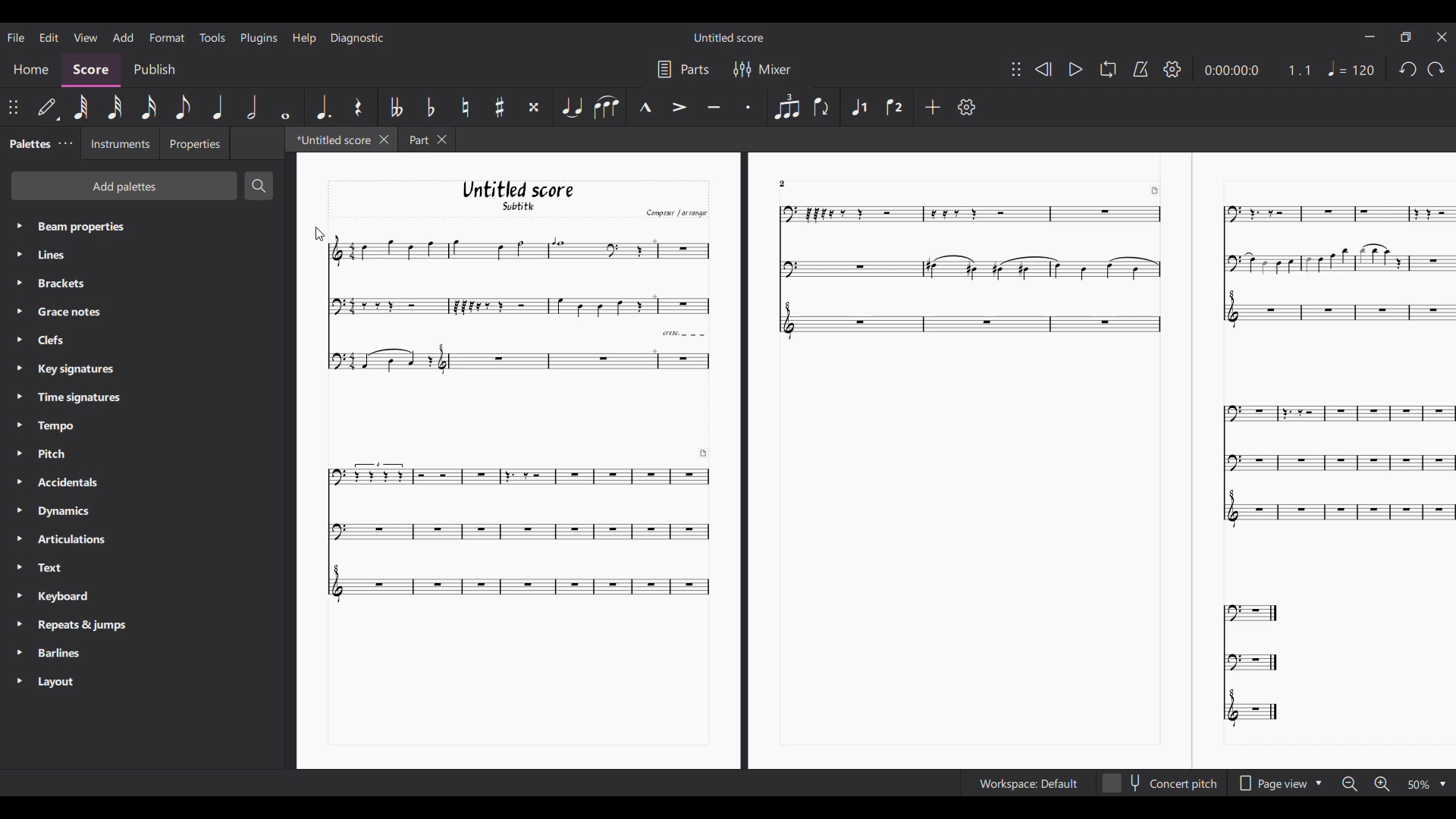  What do you see at coordinates (123, 38) in the screenshot?
I see `Add` at bounding box center [123, 38].